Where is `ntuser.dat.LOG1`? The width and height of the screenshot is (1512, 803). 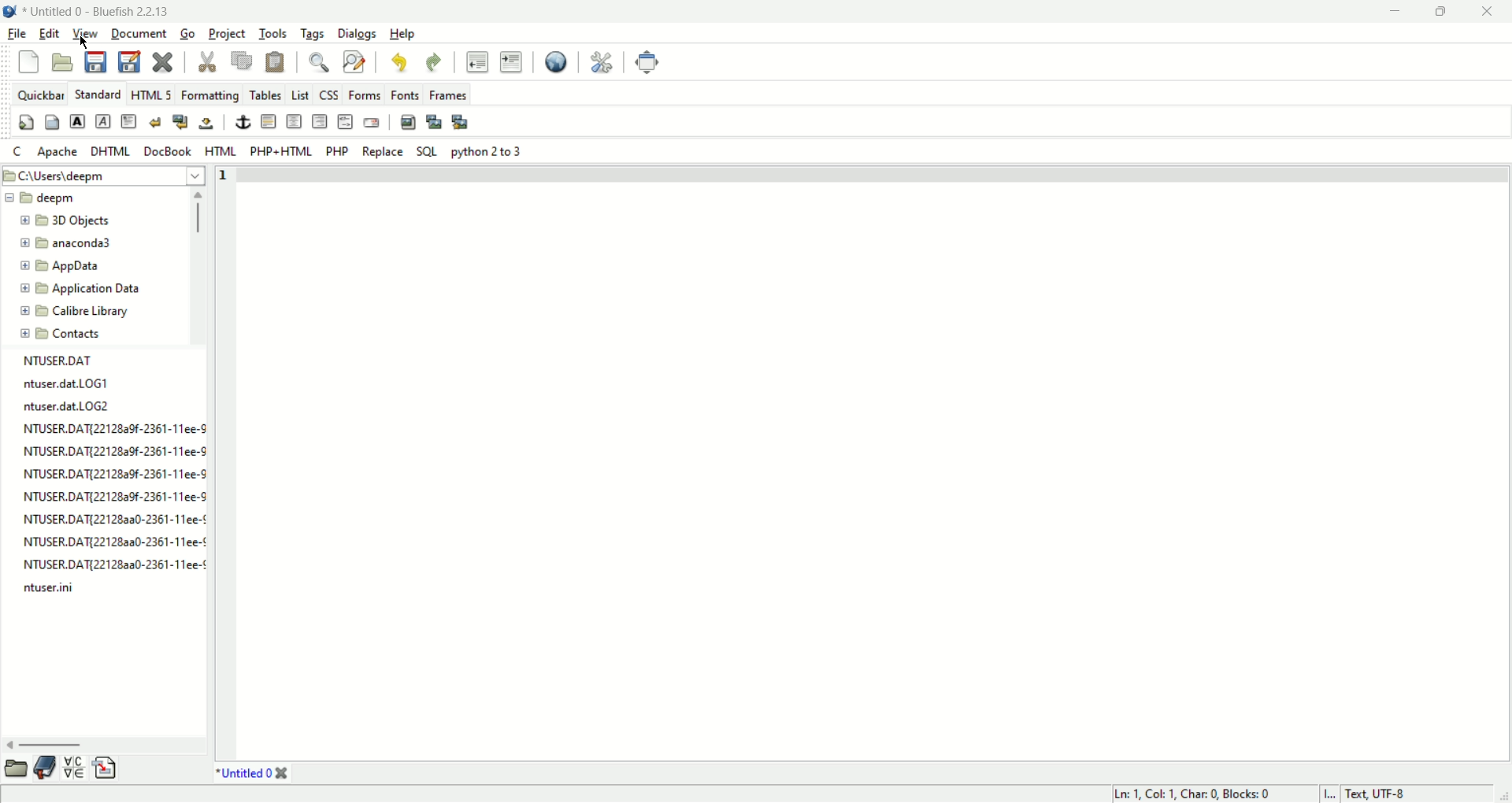 ntuser.dat.LOG1 is located at coordinates (67, 386).